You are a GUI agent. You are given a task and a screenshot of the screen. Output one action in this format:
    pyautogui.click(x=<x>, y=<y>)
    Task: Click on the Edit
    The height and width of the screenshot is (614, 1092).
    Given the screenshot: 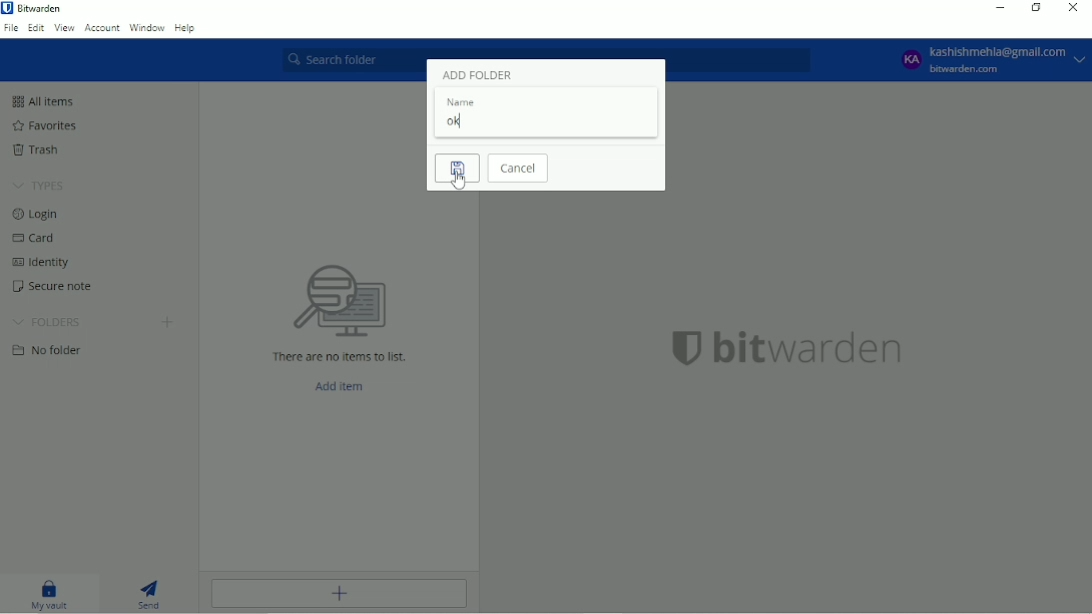 What is the action you would take?
    pyautogui.click(x=36, y=27)
    